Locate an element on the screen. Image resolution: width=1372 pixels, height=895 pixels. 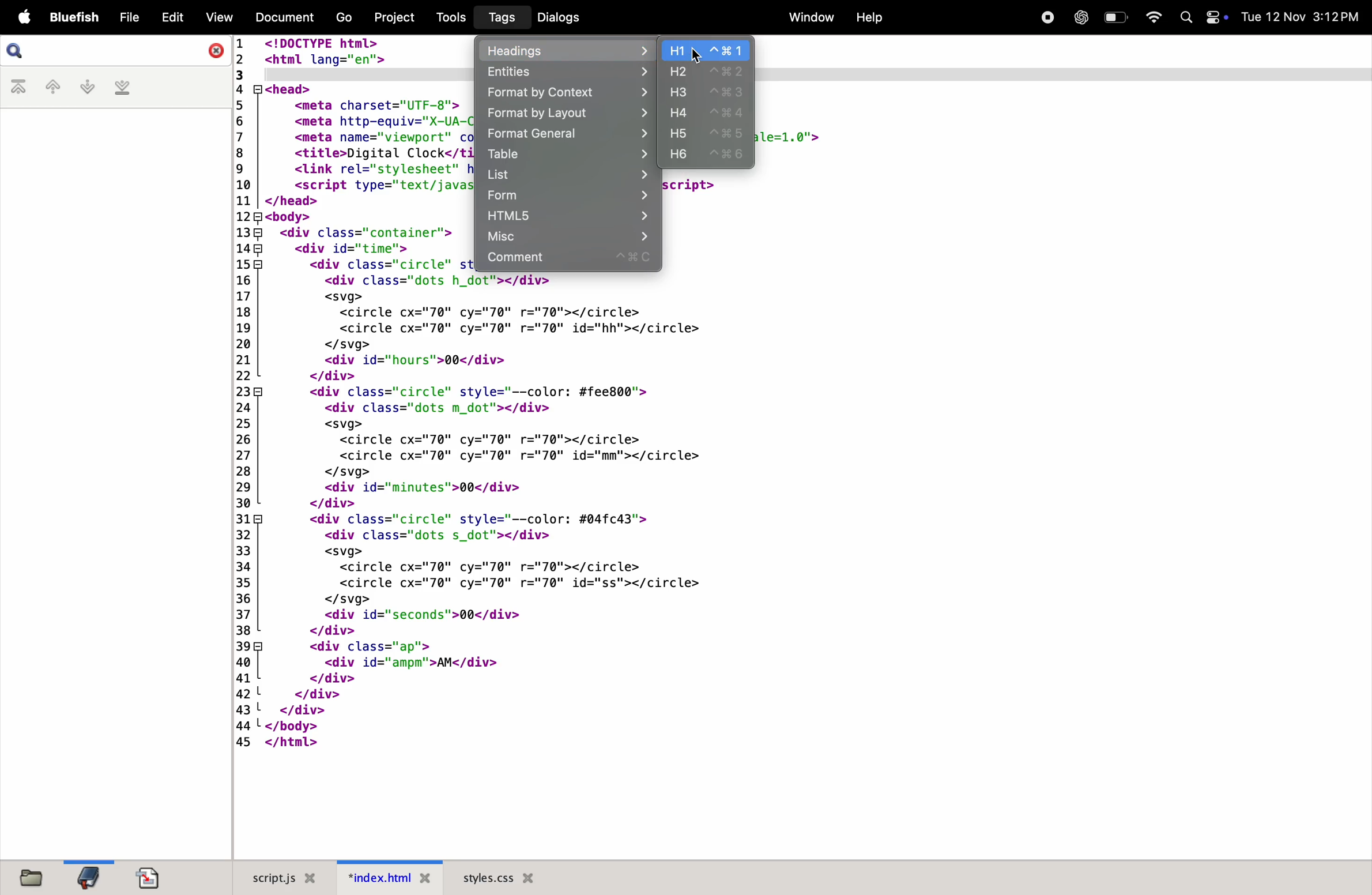
help is located at coordinates (868, 18).